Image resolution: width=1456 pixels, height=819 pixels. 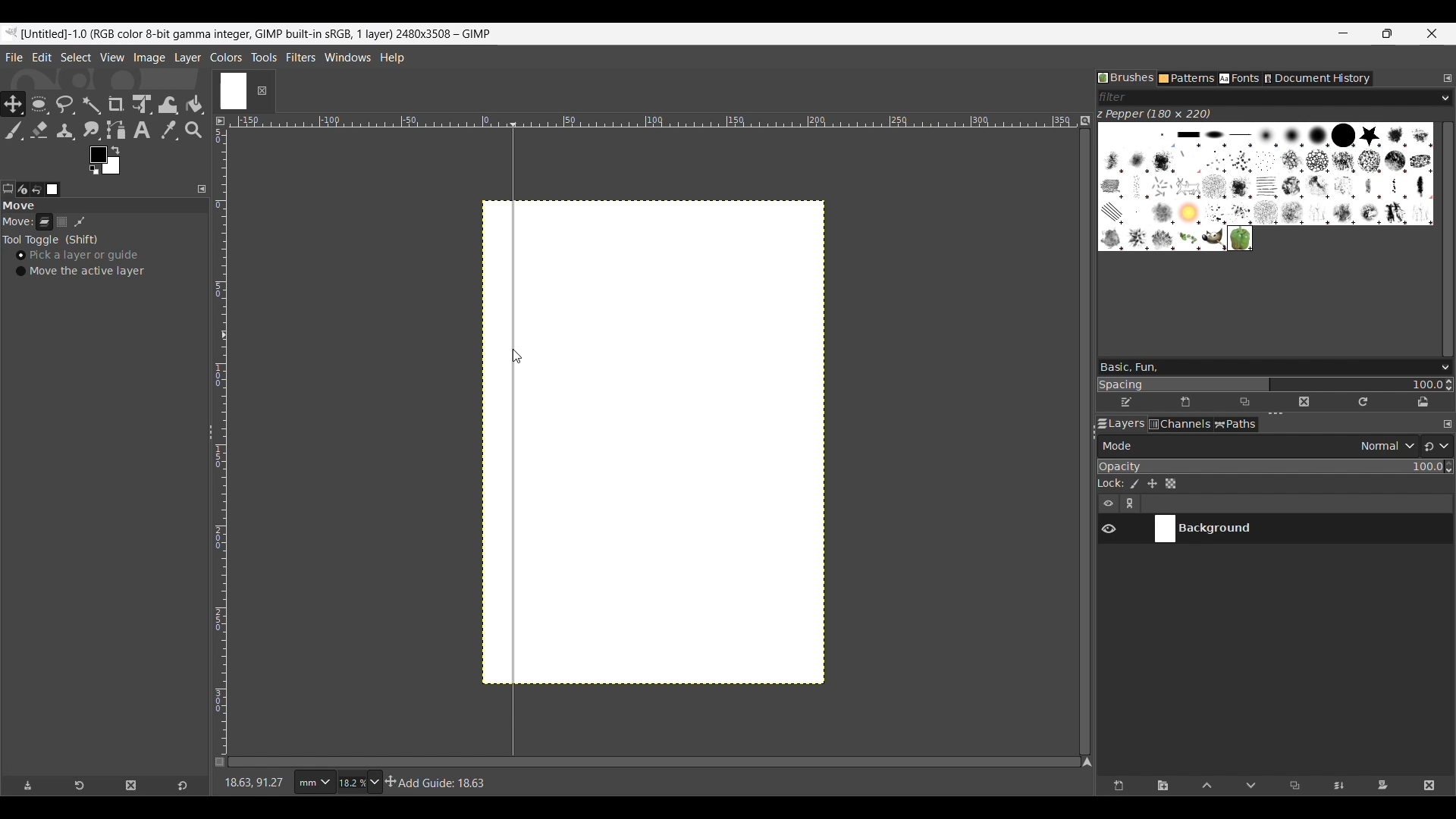 I want to click on Access the image menu, so click(x=220, y=121).